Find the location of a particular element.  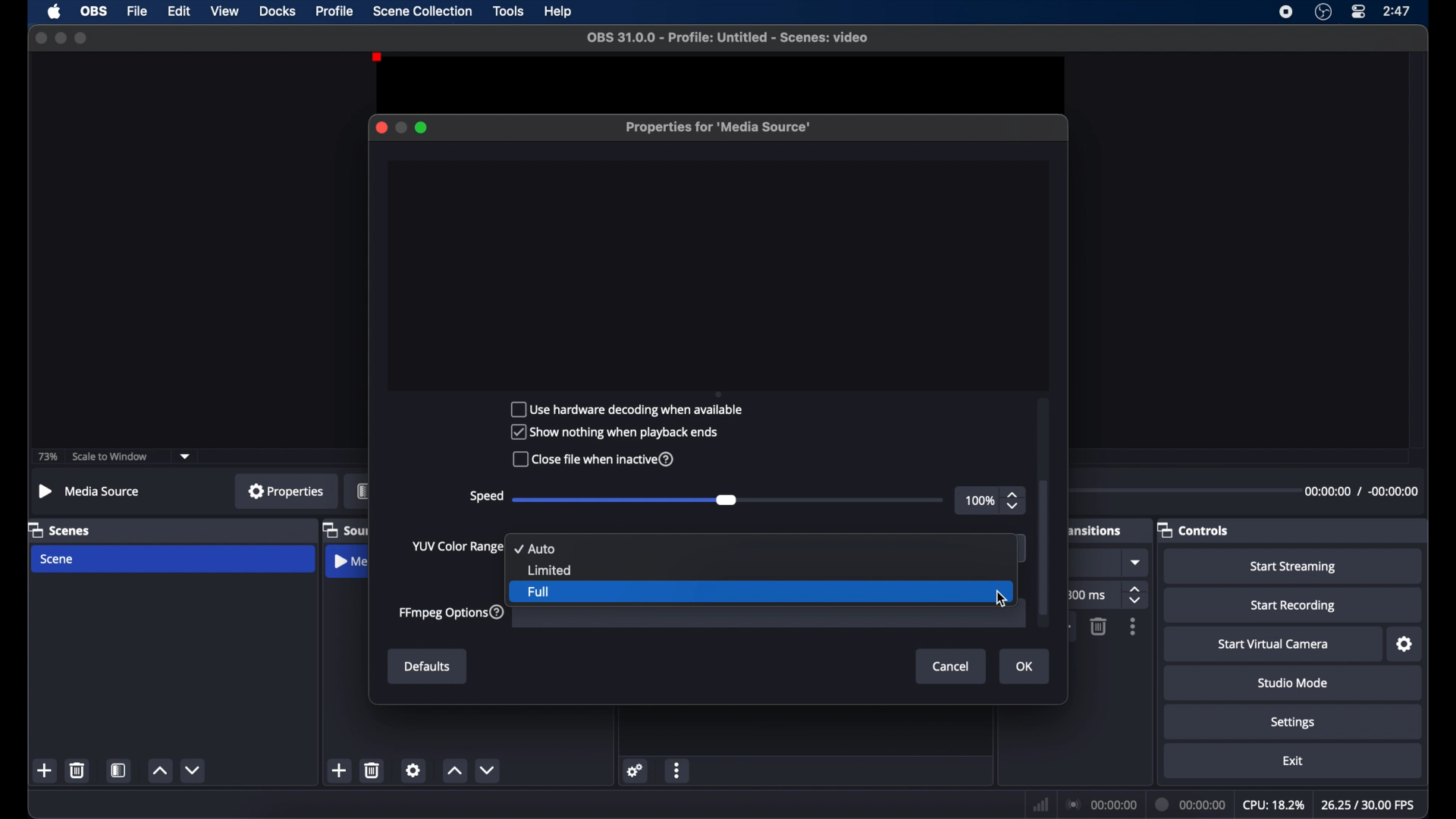

edit is located at coordinates (179, 11).